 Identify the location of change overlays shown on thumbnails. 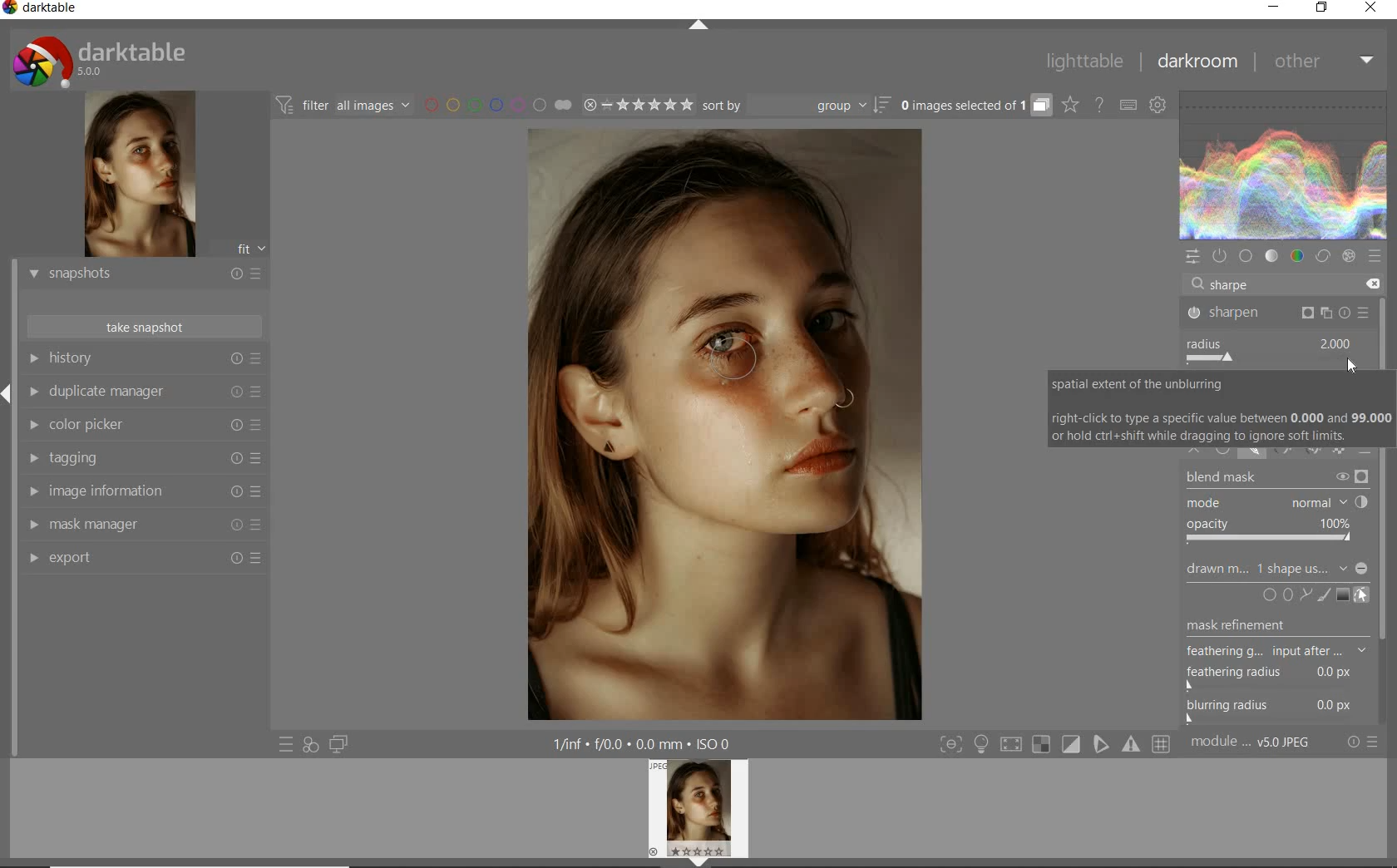
(1069, 106).